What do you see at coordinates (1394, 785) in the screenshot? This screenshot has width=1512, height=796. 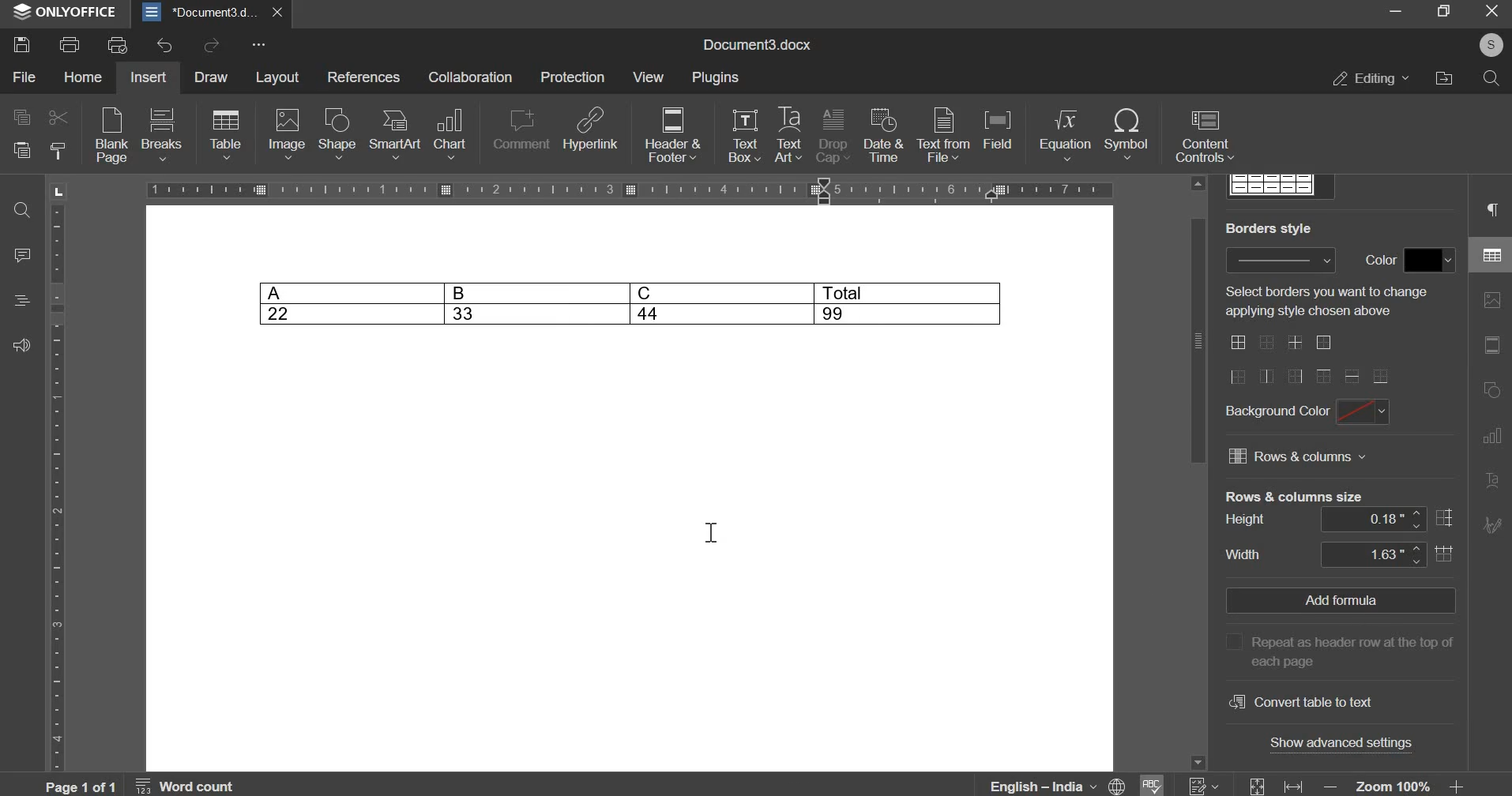 I see `Zoom 100%` at bounding box center [1394, 785].